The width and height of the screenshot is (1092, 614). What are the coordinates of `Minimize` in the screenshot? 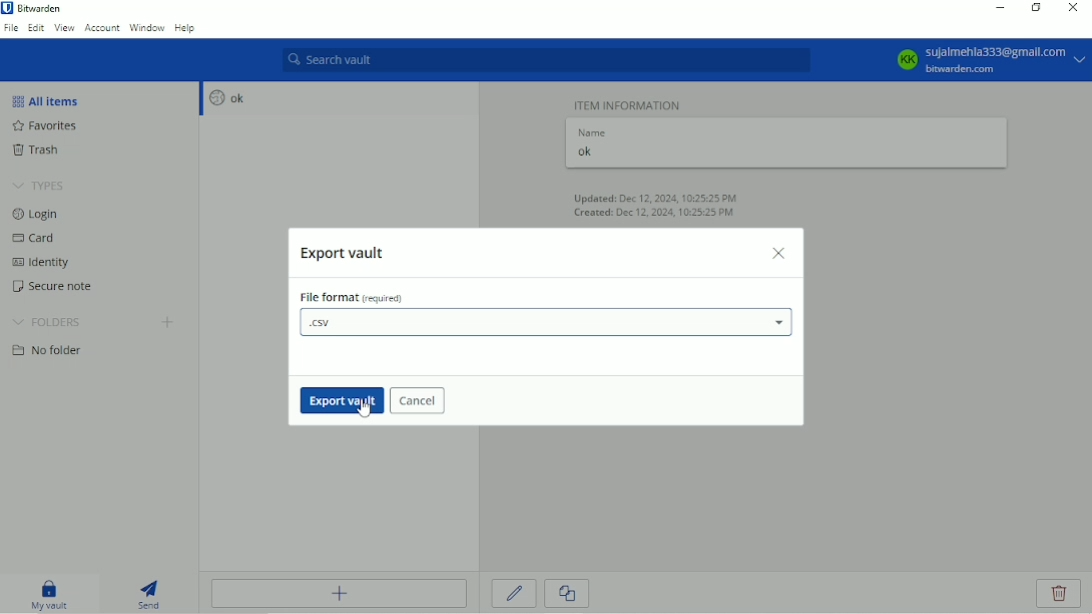 It's located at (997, 8).